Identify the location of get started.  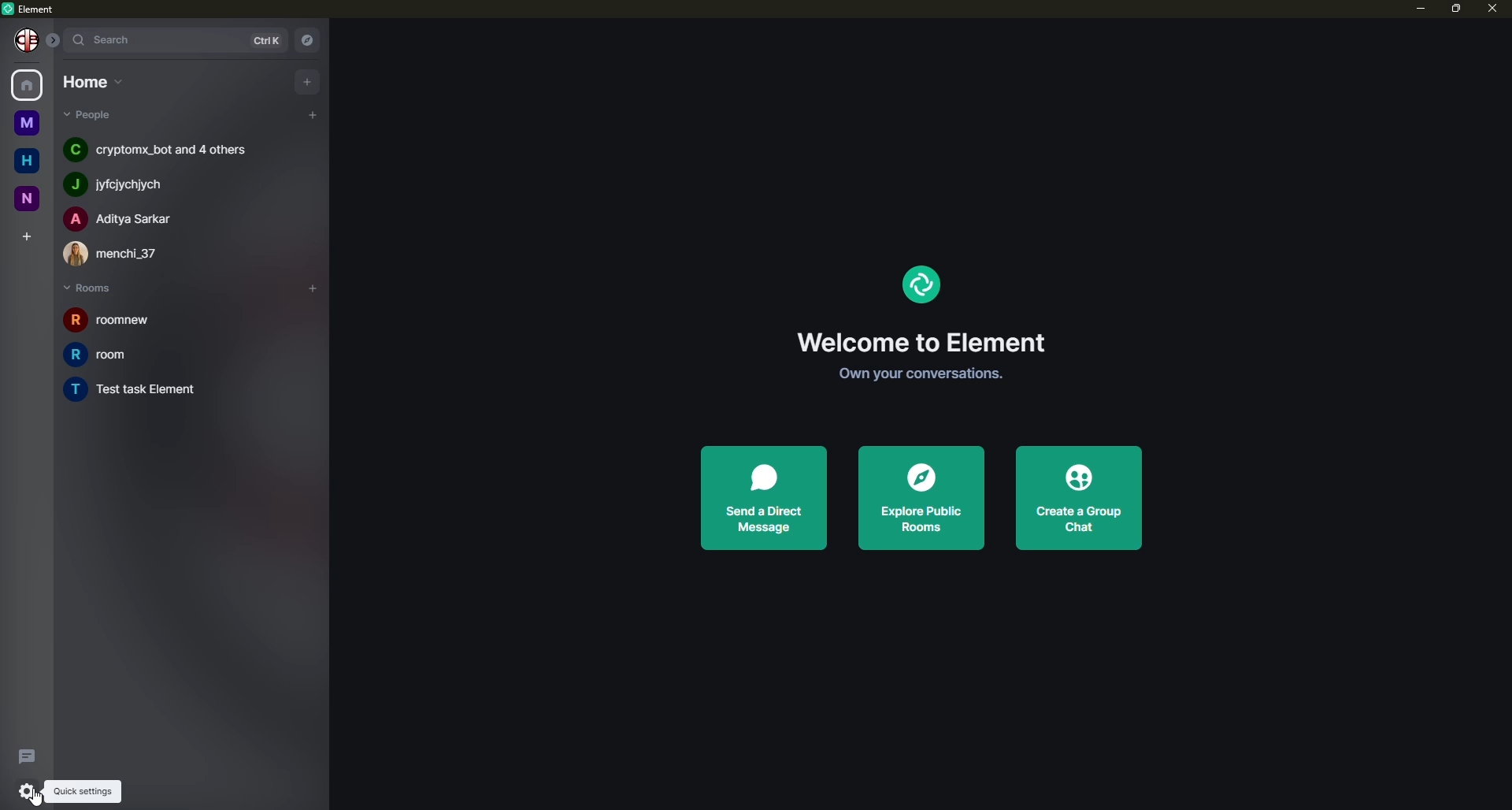
(914, 373).